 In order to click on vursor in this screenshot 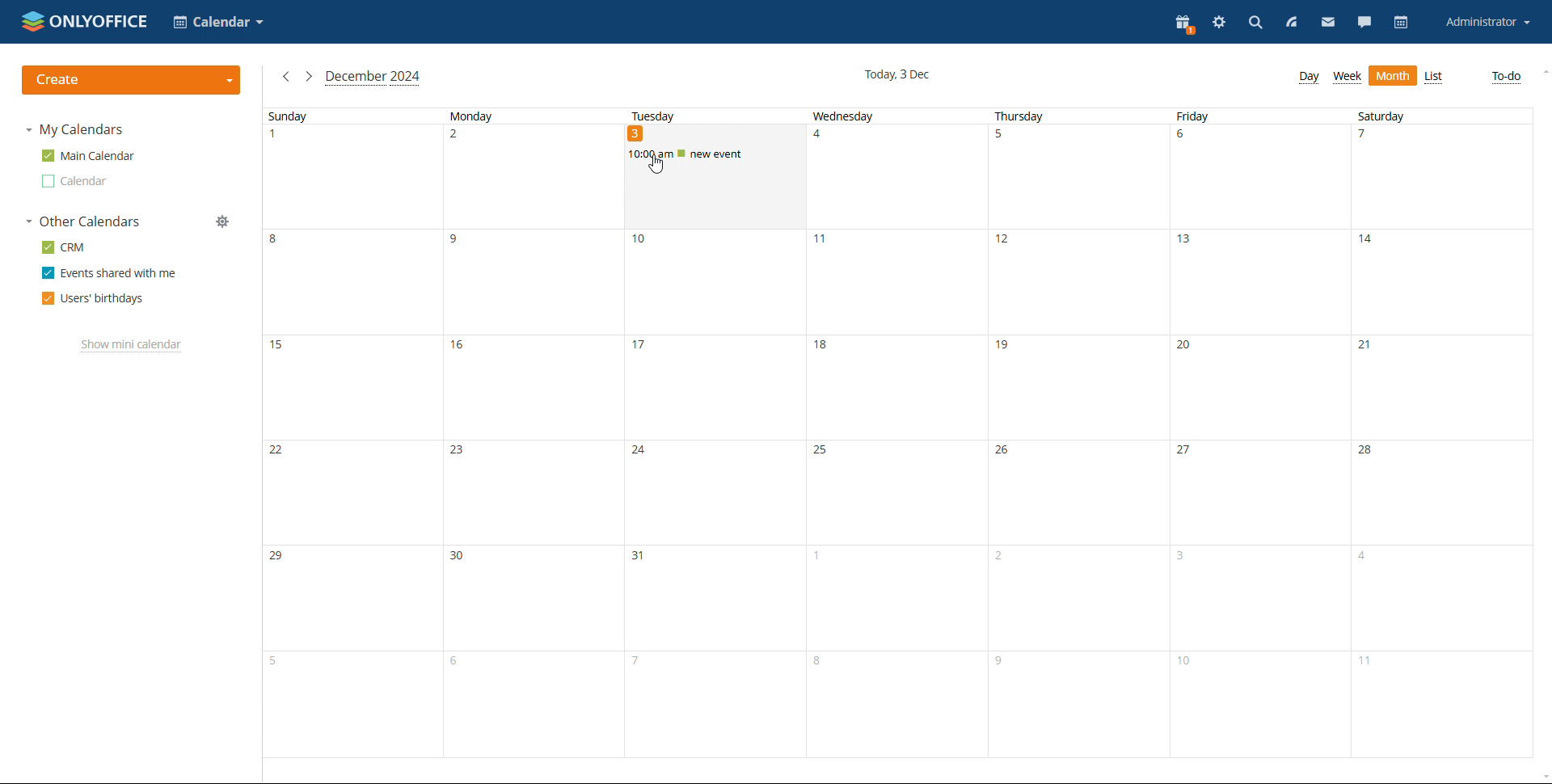, I will do `click(656, 165)`.